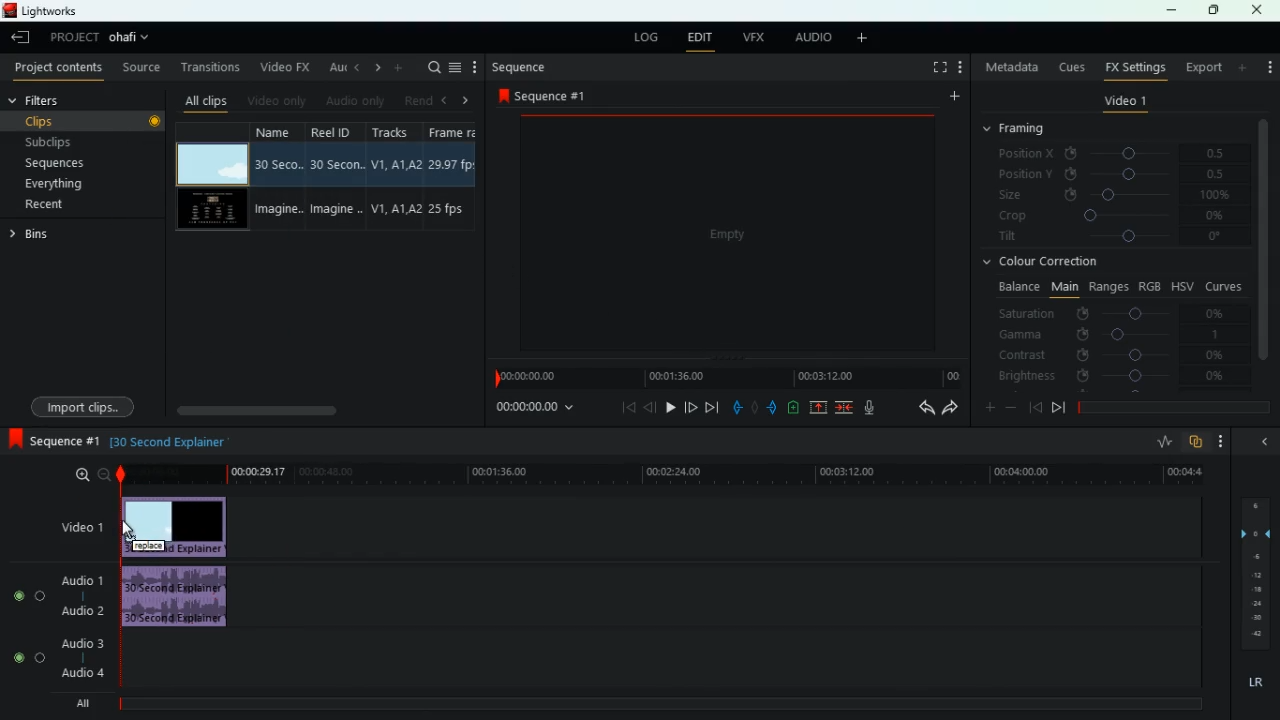 The image size is (1280, 720). What do you see at coordinates (878, 409) in the screenshot?
I see `mic` at bounding box center [878, 409].